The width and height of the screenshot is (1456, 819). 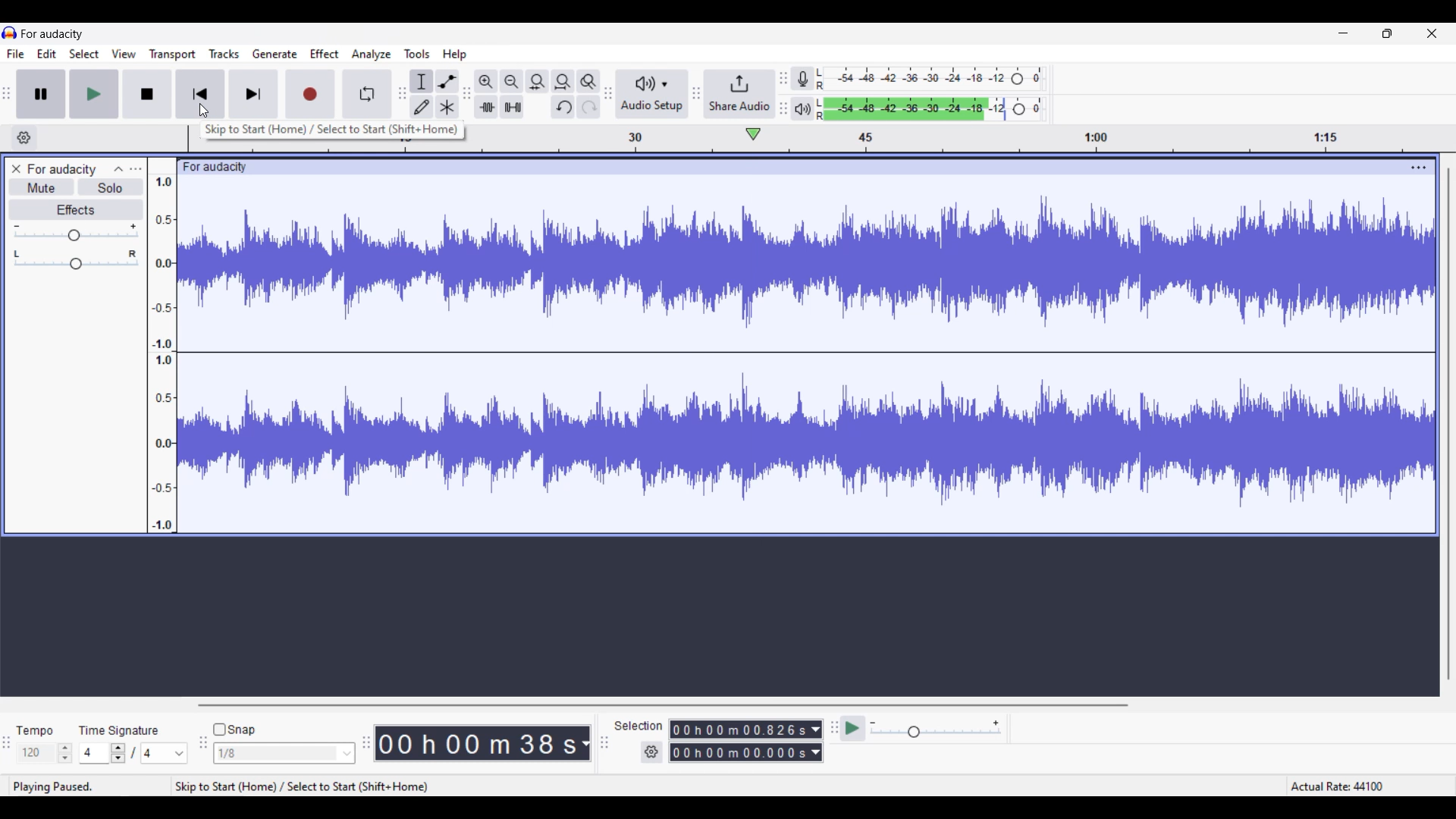 What do you see at coordinates (417, 53) in the screenshot?
I see `Tools menu` at bounding box center [417, 53].